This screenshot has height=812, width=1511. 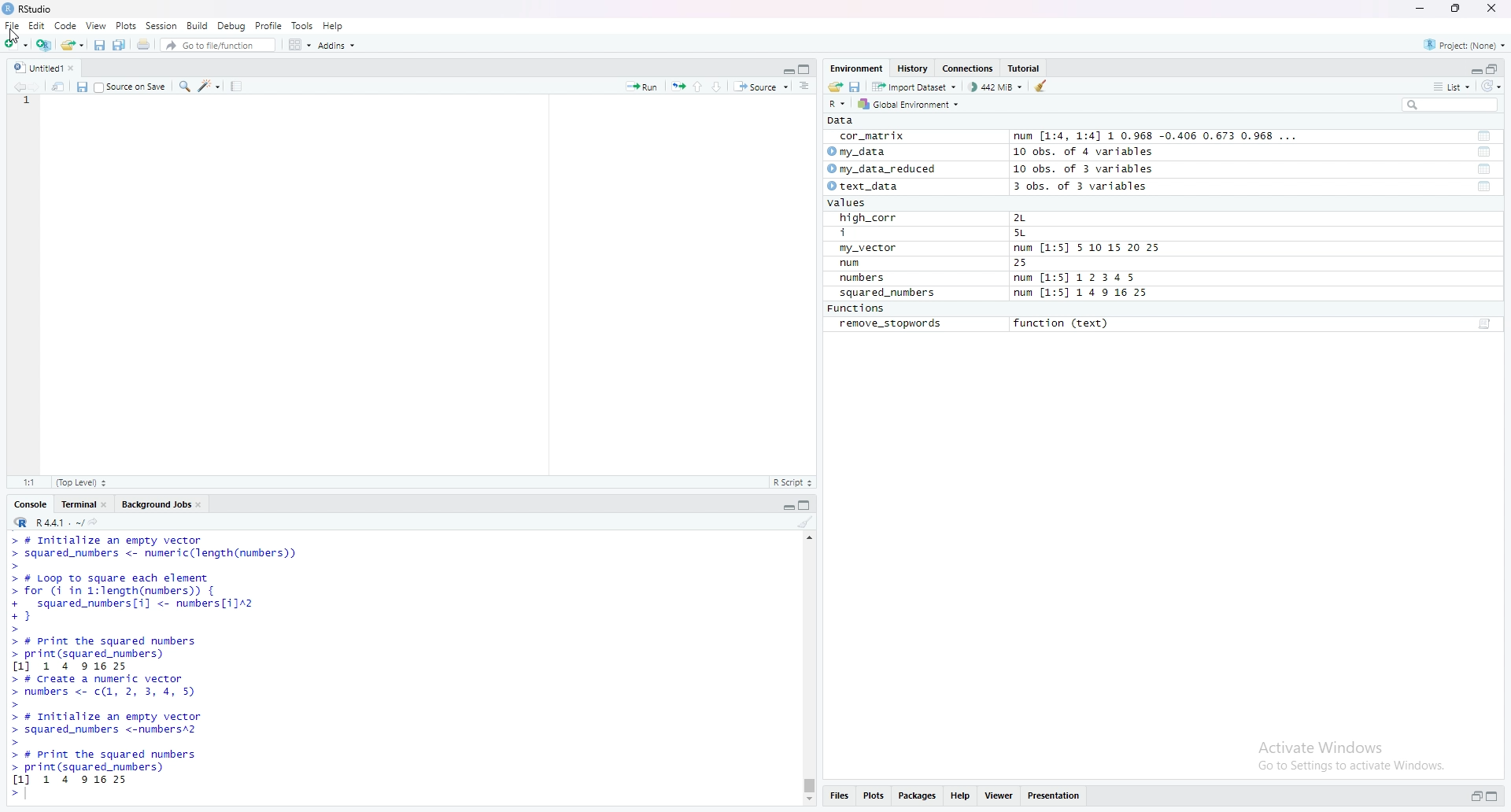 What do you see at coordinates (120, 44) in the screenshot?
I see `Save all open documents` at bounding box center [120, 44].